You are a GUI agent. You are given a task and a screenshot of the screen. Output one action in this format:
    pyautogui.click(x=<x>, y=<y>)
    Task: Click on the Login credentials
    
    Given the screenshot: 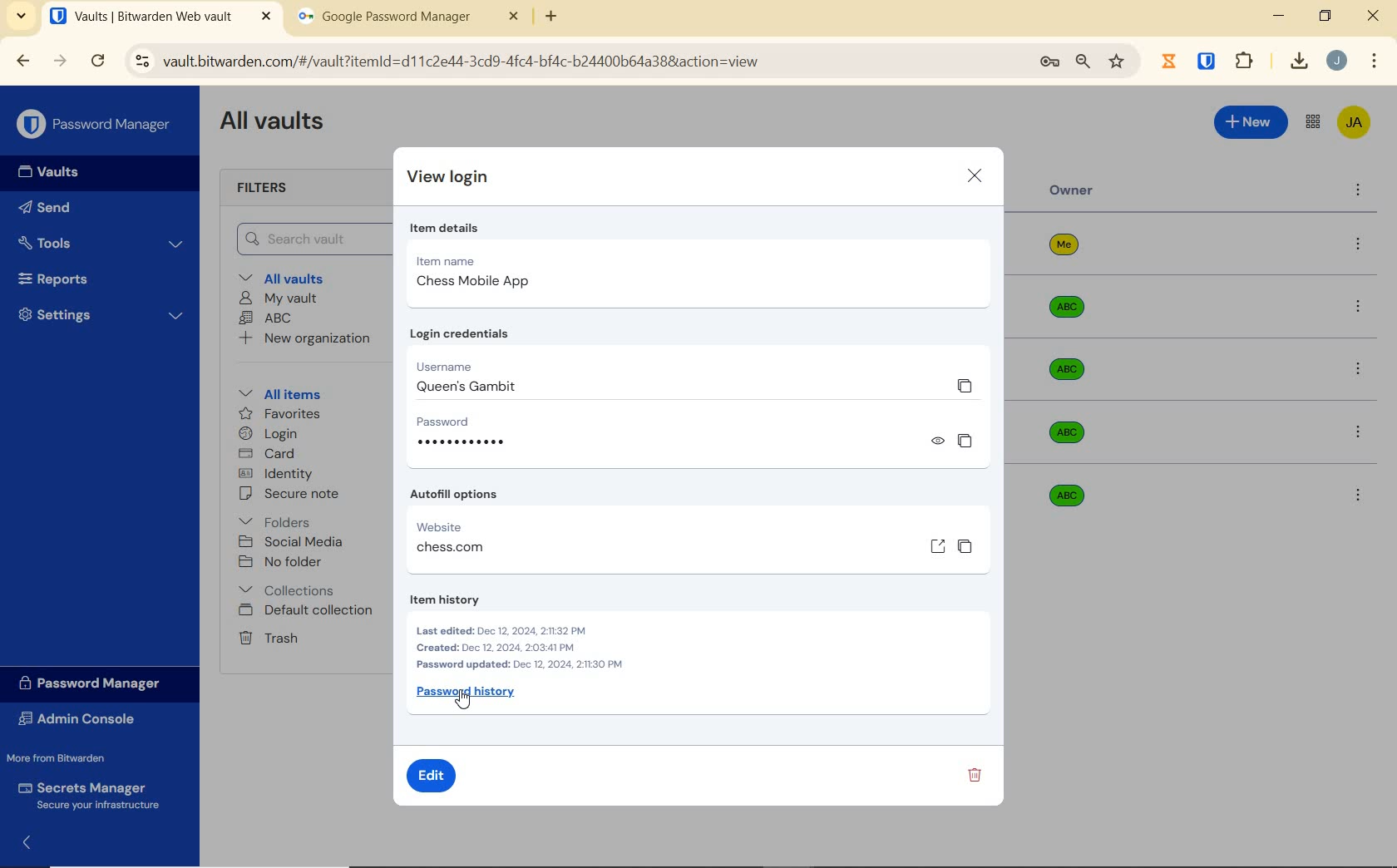 What is the action you would take?
    pyautogui.click(x=481, y=333)
    